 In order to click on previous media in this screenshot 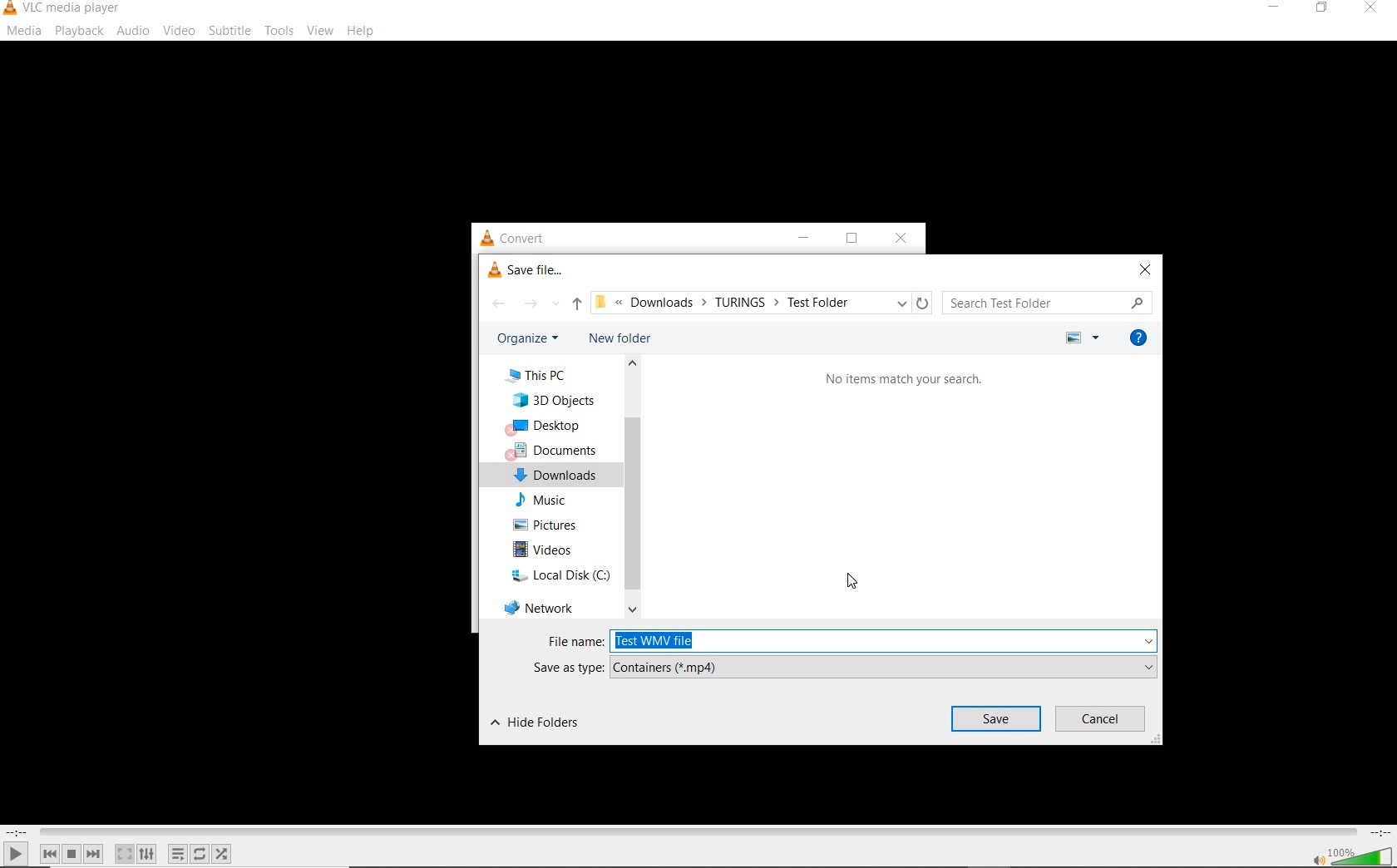, I will do `click(49, 854)`.